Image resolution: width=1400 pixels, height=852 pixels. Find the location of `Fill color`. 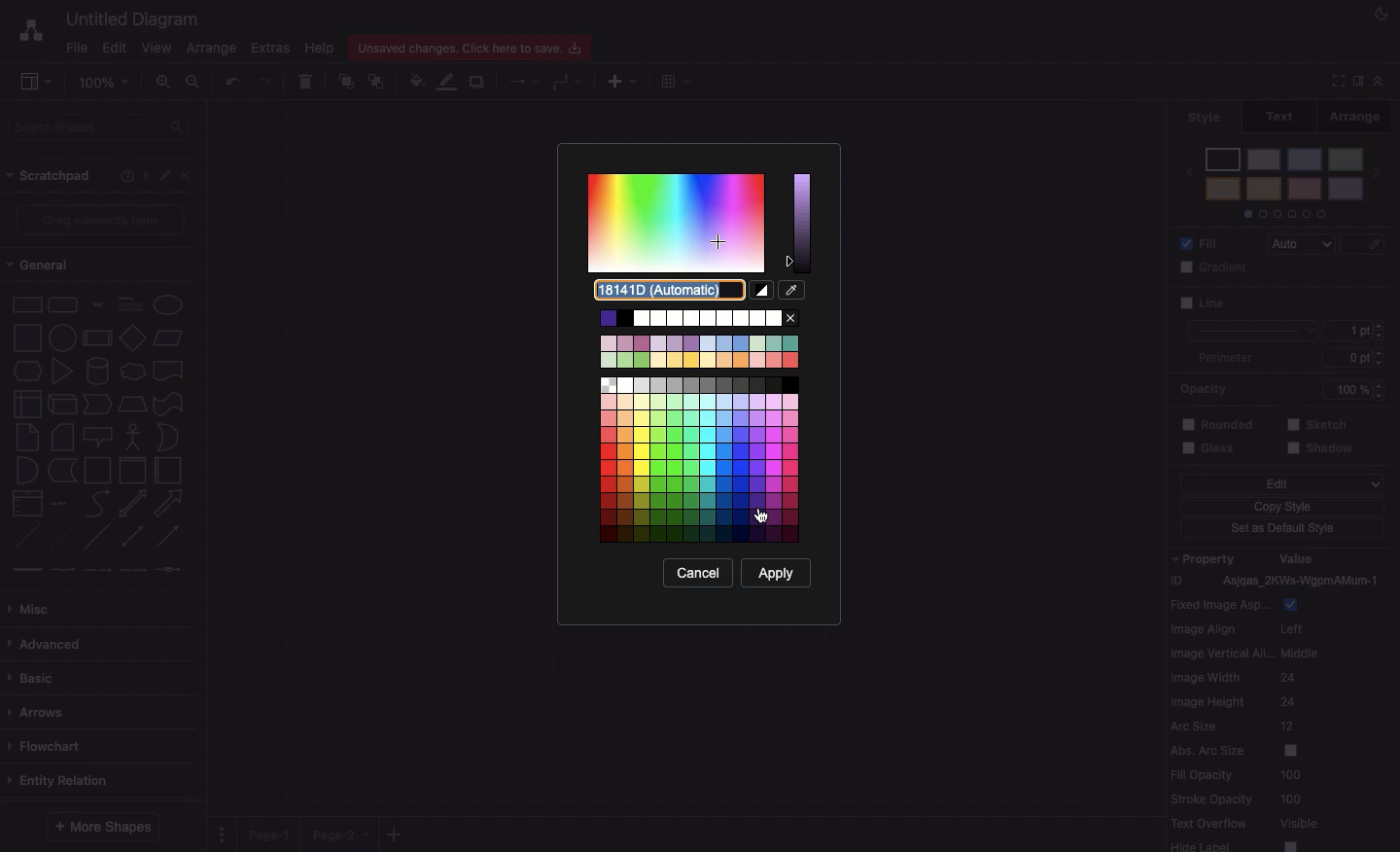

Fill color is located at coordinates (419, 79).